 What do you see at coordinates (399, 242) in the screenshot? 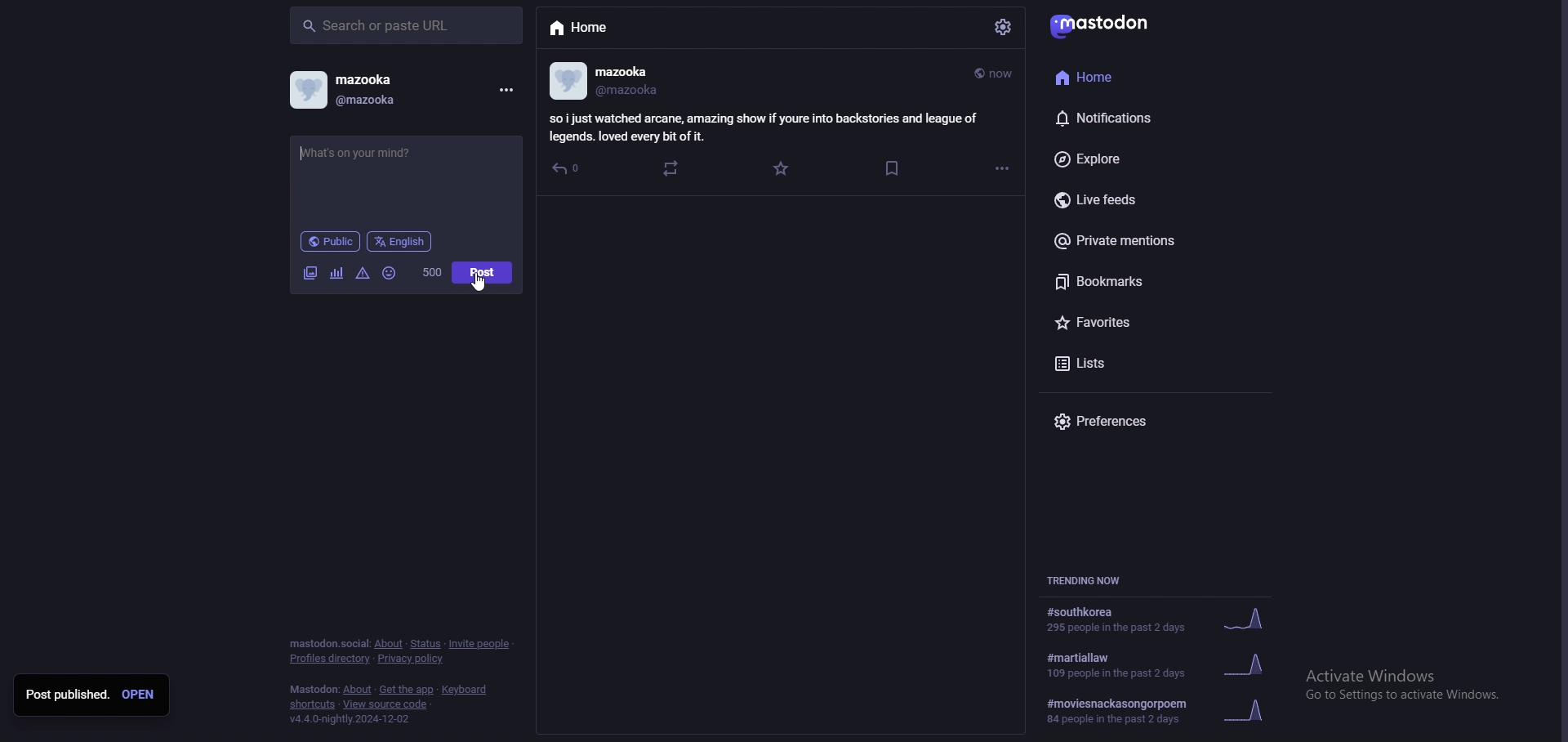
I see `language` at bounding box center [399, 242].